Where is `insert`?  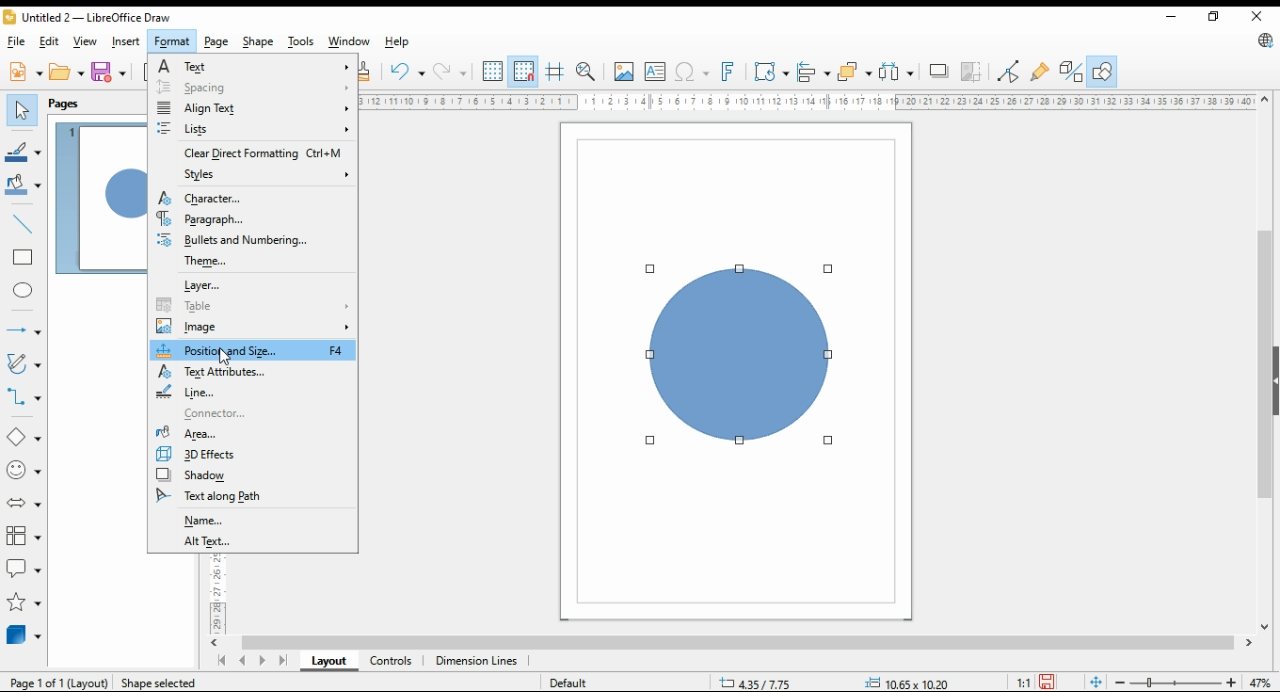 insert is located at coordinates (126, 41).